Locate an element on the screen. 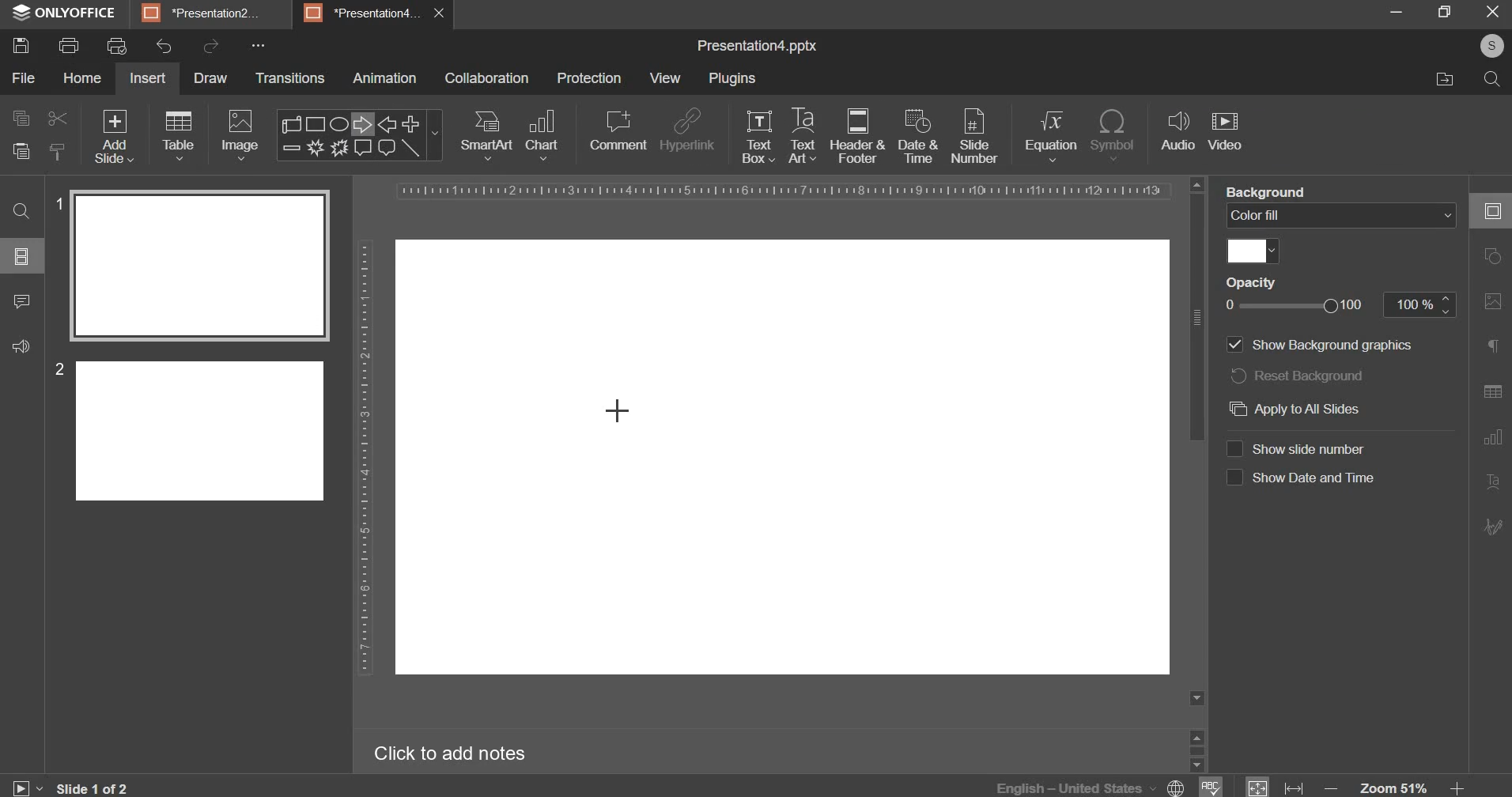  opacity is located at coordinates (1341, 304).